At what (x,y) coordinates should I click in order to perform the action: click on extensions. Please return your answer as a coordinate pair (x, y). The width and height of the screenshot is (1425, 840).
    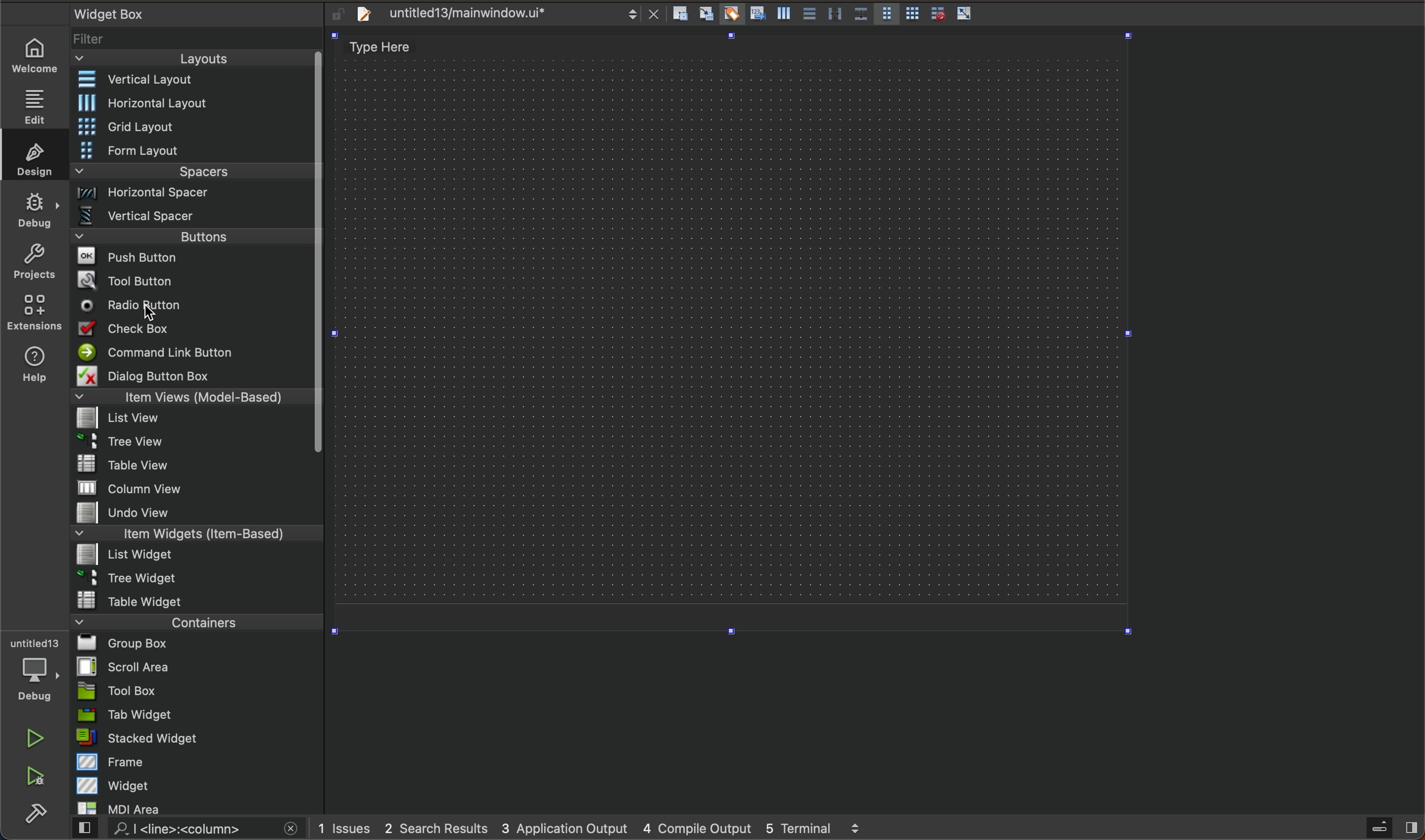
    Looking at the image, I should click on (33, 312).